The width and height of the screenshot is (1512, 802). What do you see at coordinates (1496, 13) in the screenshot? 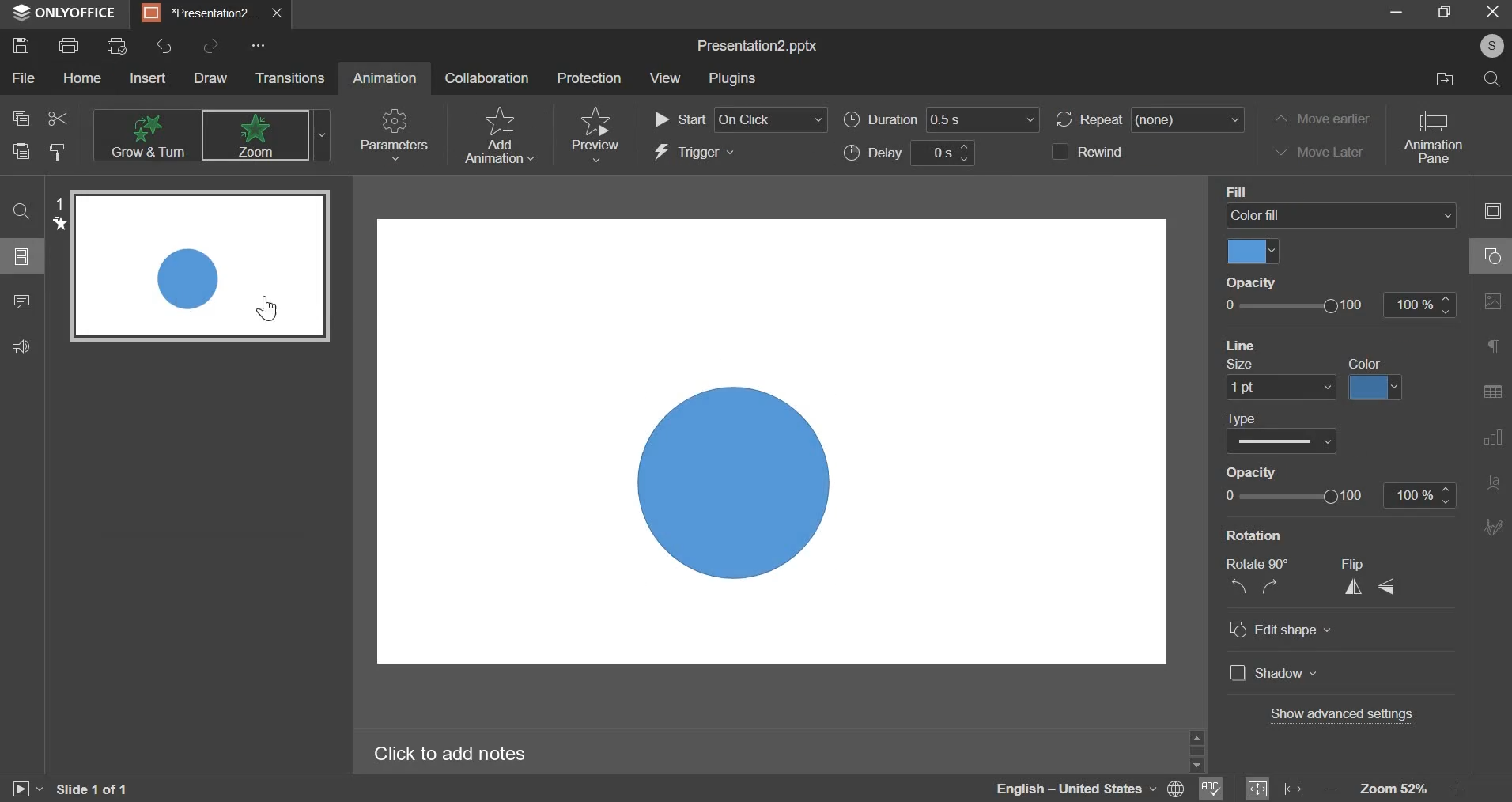
I see `exit` at bounding box center [1496, 13].